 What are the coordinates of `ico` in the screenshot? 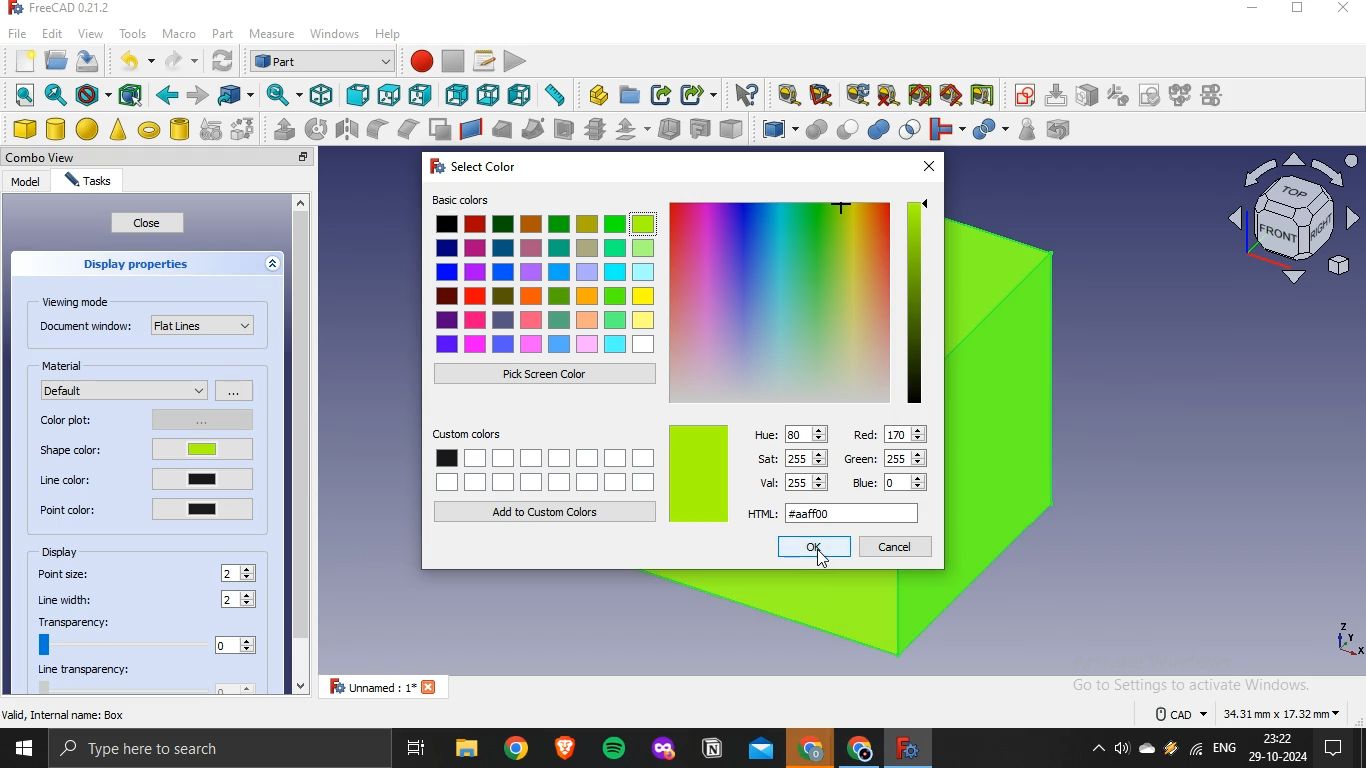 It's located at (1298, 215).